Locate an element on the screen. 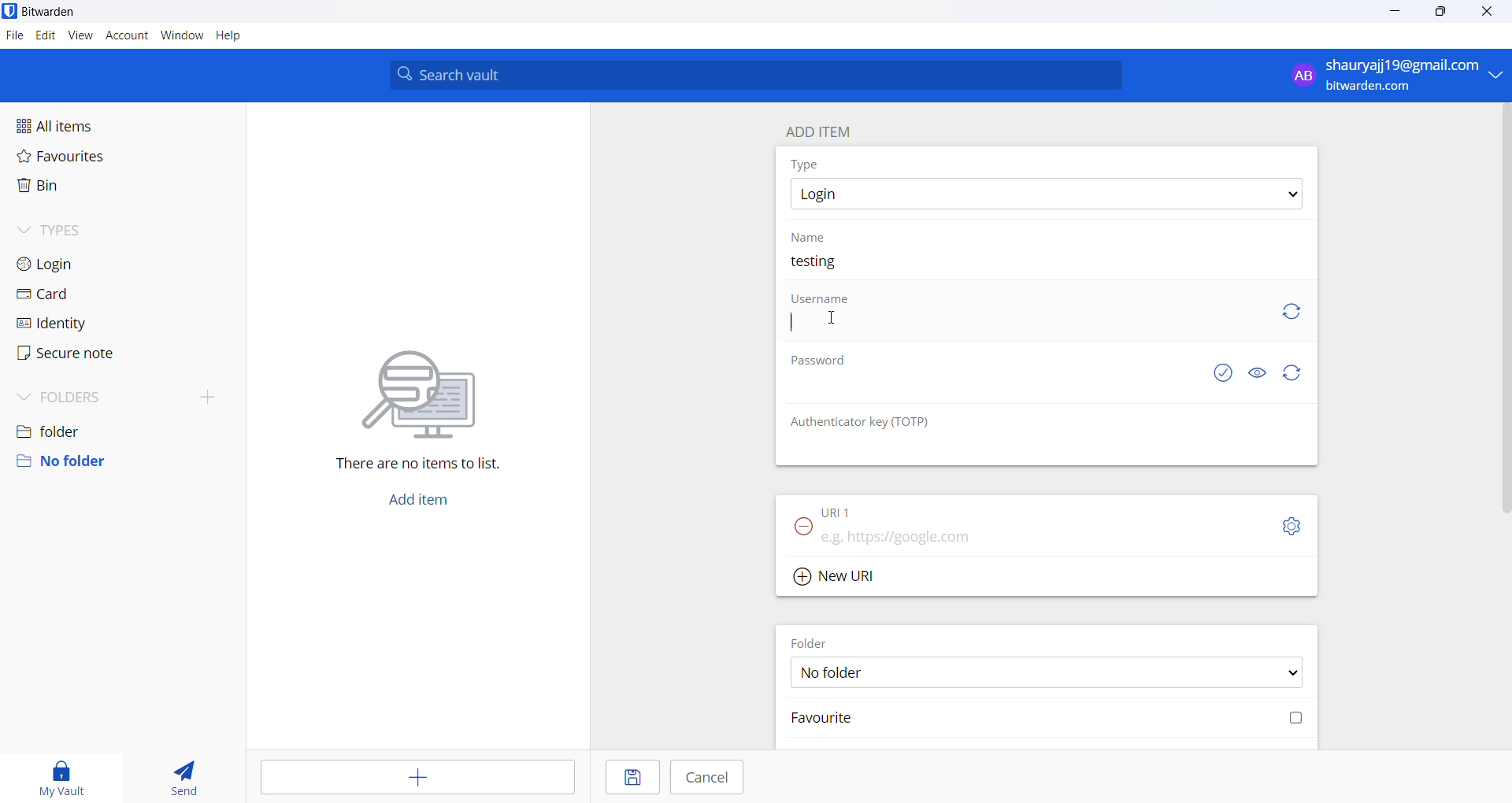 This screenshot has width=1512, height=803. card is located at coordinates (82, 294).